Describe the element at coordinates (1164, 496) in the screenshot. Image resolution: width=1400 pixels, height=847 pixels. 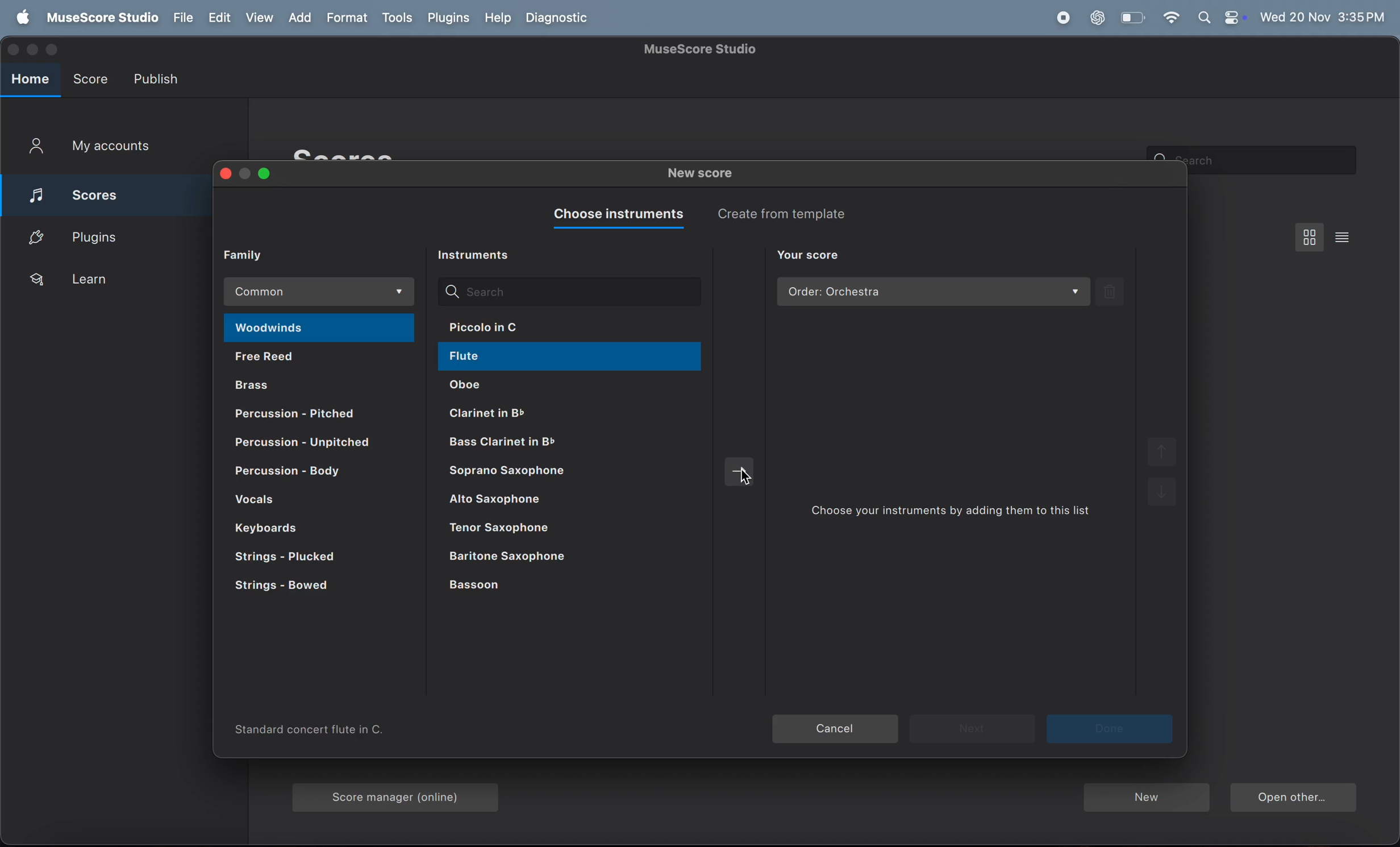
I see `down` at that location.